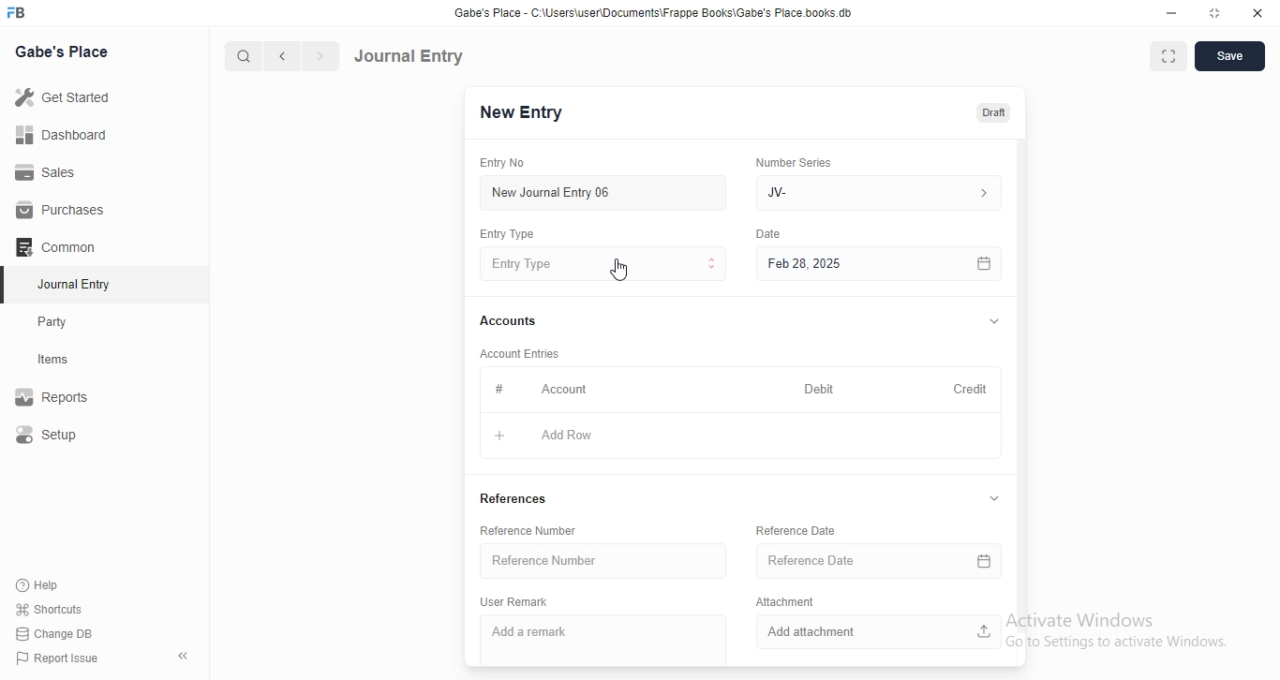 This screenshot has height=680, width=1280. I want to click on Setup, so click(66, 436).